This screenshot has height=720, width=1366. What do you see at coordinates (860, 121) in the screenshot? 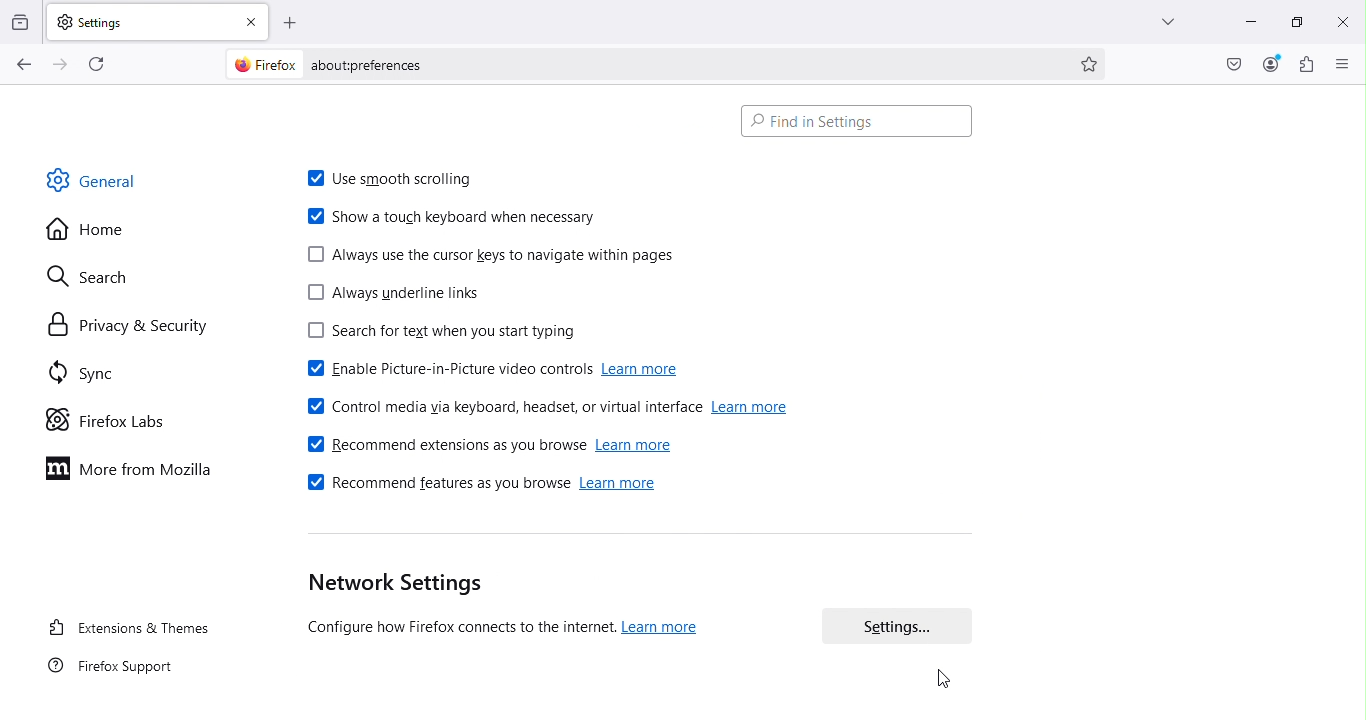
I see `Search bar` at bounding box center [860, 121].